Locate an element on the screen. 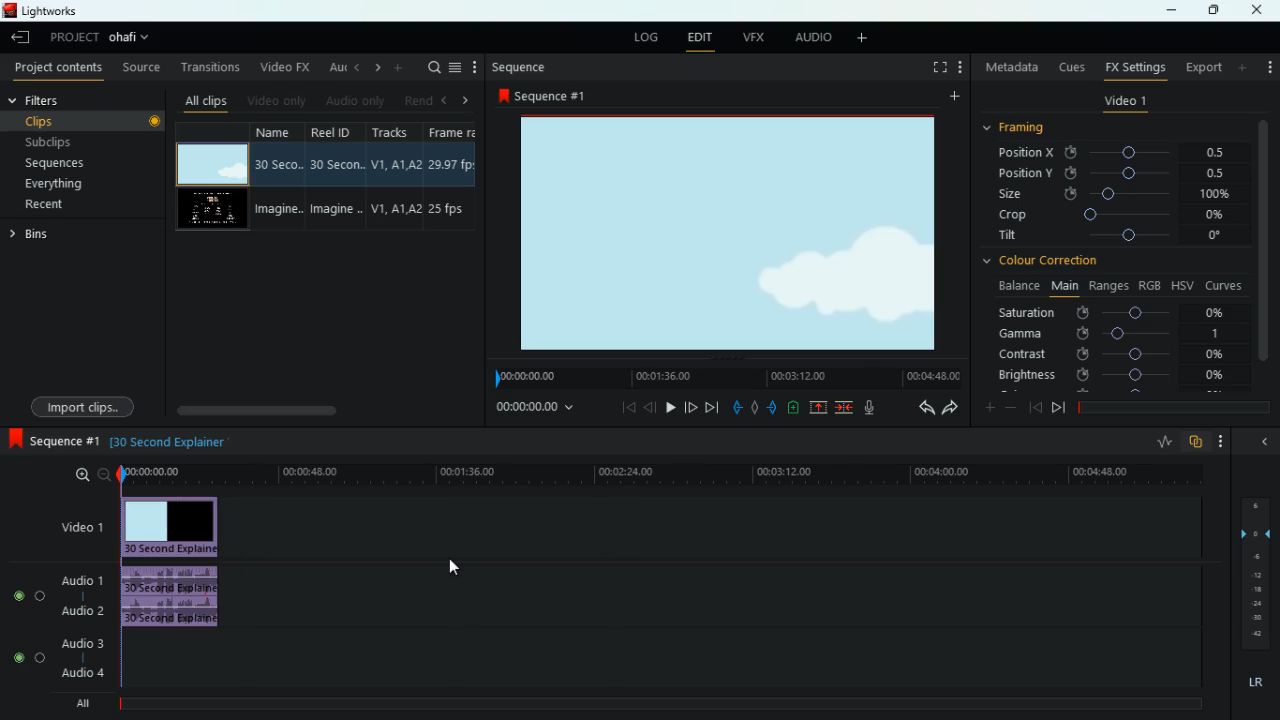 Image resolution: width=1280 pixels, height=720 pixels. bins is located at coordinates (34, 235).